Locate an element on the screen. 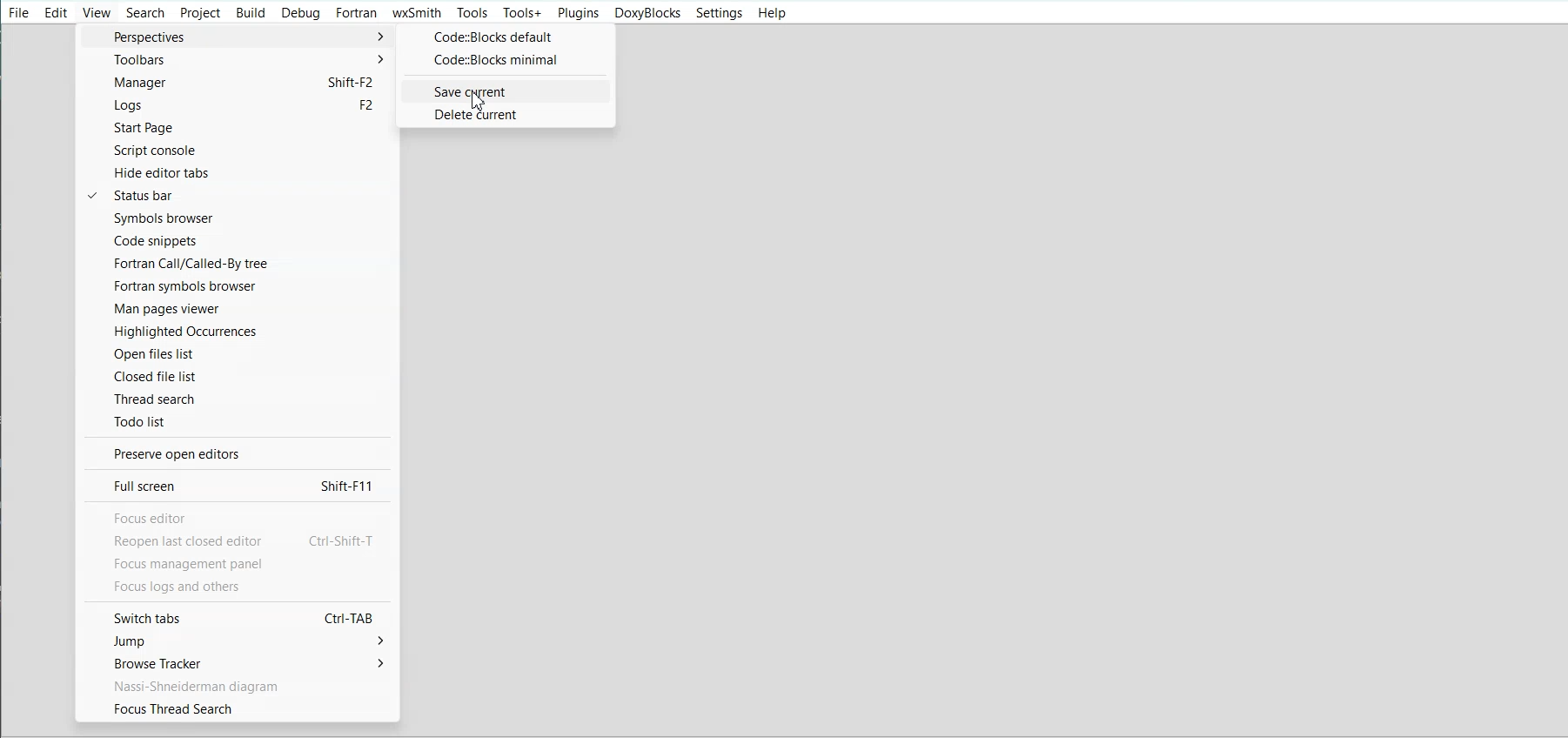 The height and width of the screenshot is (738, 1568). Browse tracker is located at coordinates (245, 662).